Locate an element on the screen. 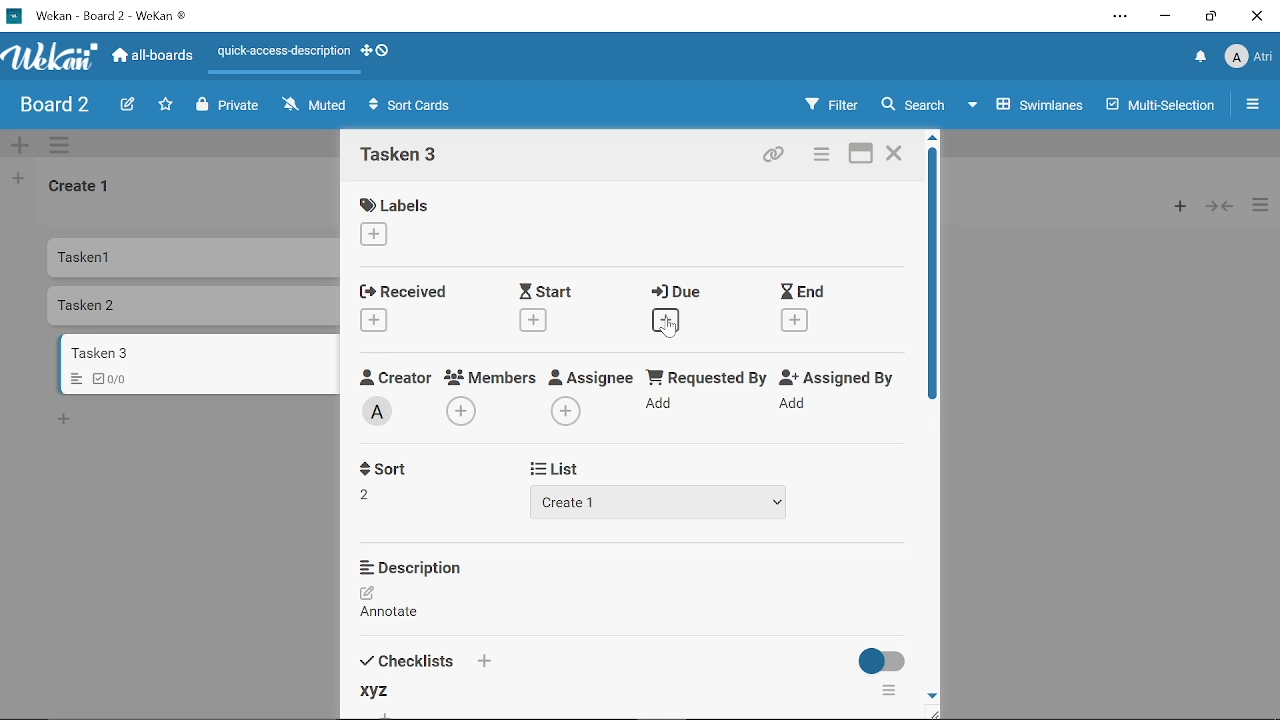 The image size is (1280, 720). Checklist is located at coordinates (117, 379).